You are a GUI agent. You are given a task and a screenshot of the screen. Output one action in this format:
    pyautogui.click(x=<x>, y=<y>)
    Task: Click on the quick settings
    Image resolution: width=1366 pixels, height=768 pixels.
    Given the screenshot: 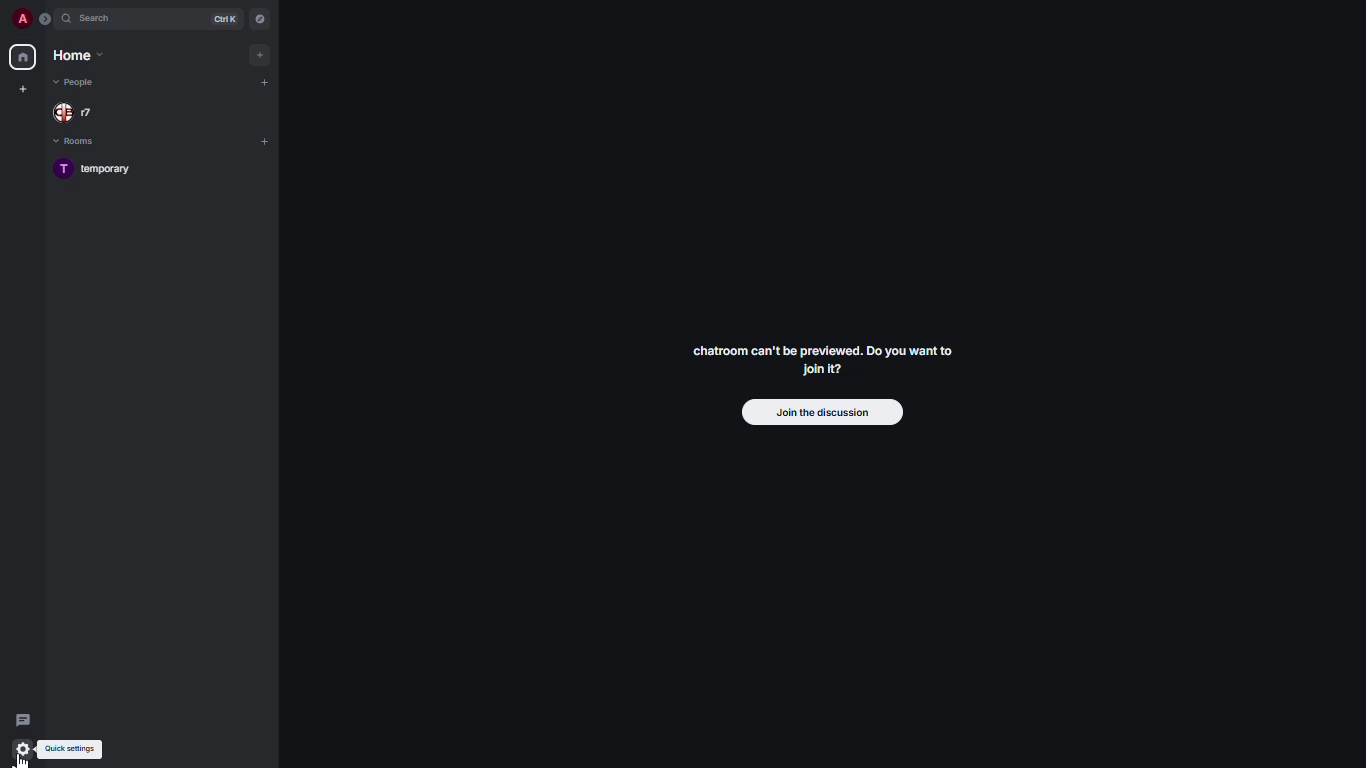 What is the action you would take?
    pyautogui.click(x=22, y=746)
    